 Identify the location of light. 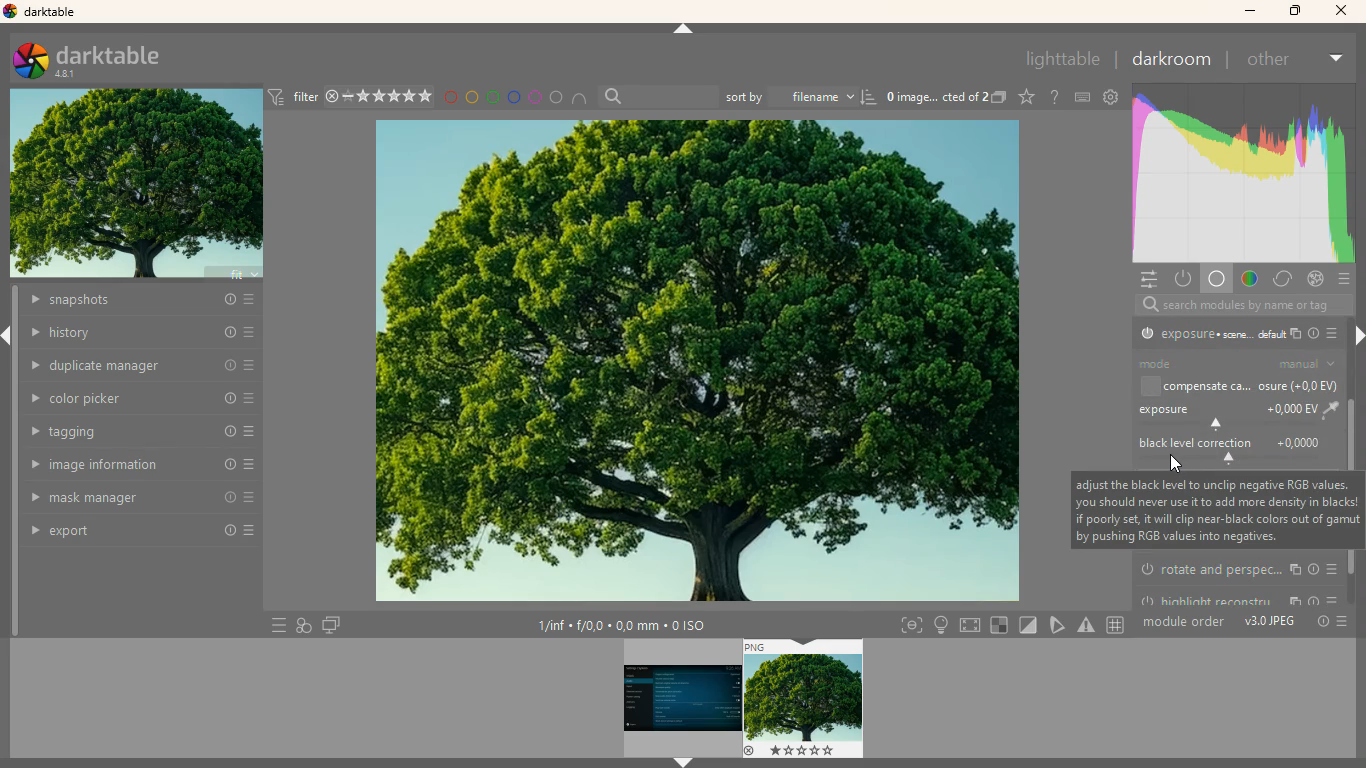
(943, 626).